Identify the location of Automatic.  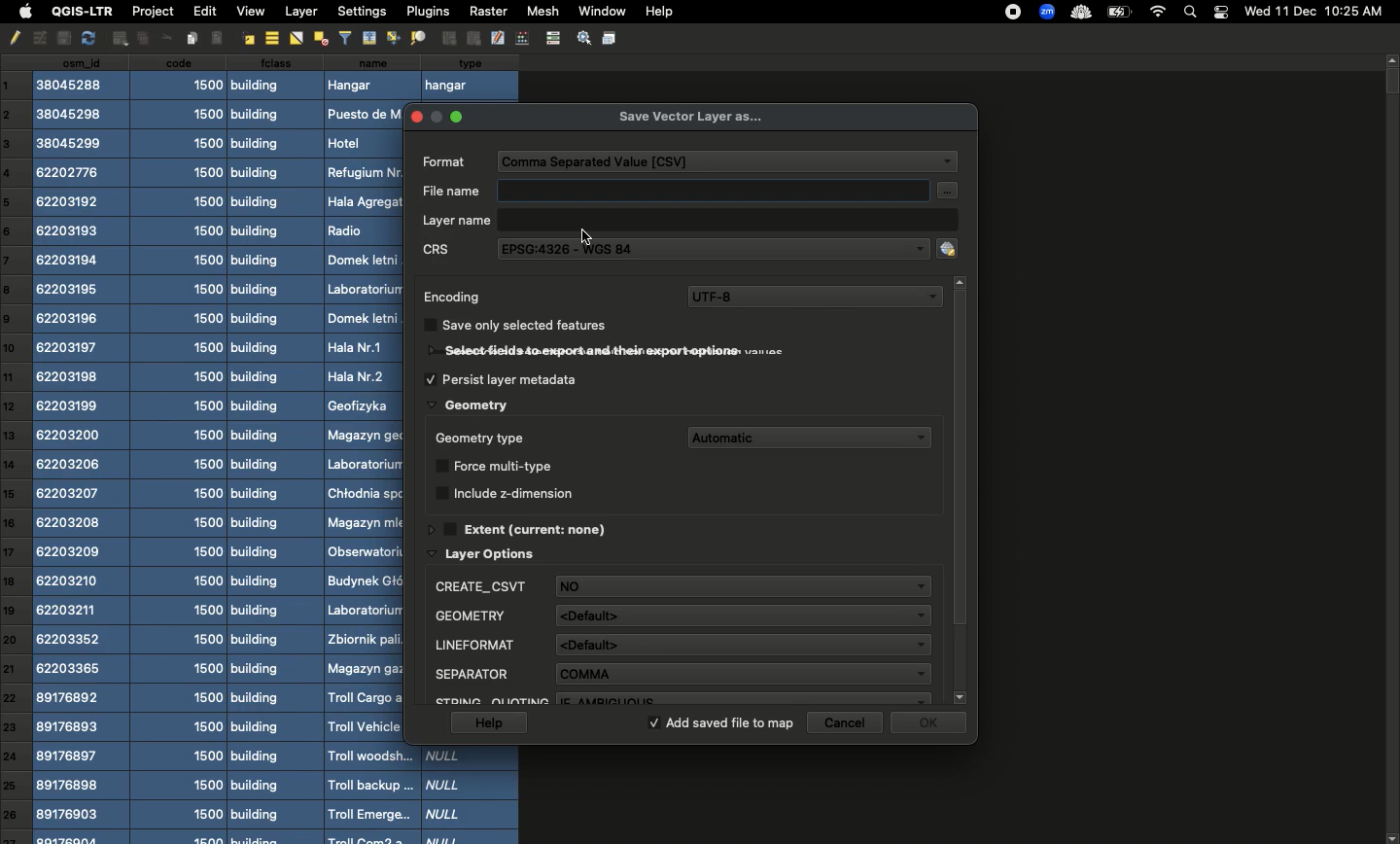
(811, 433).